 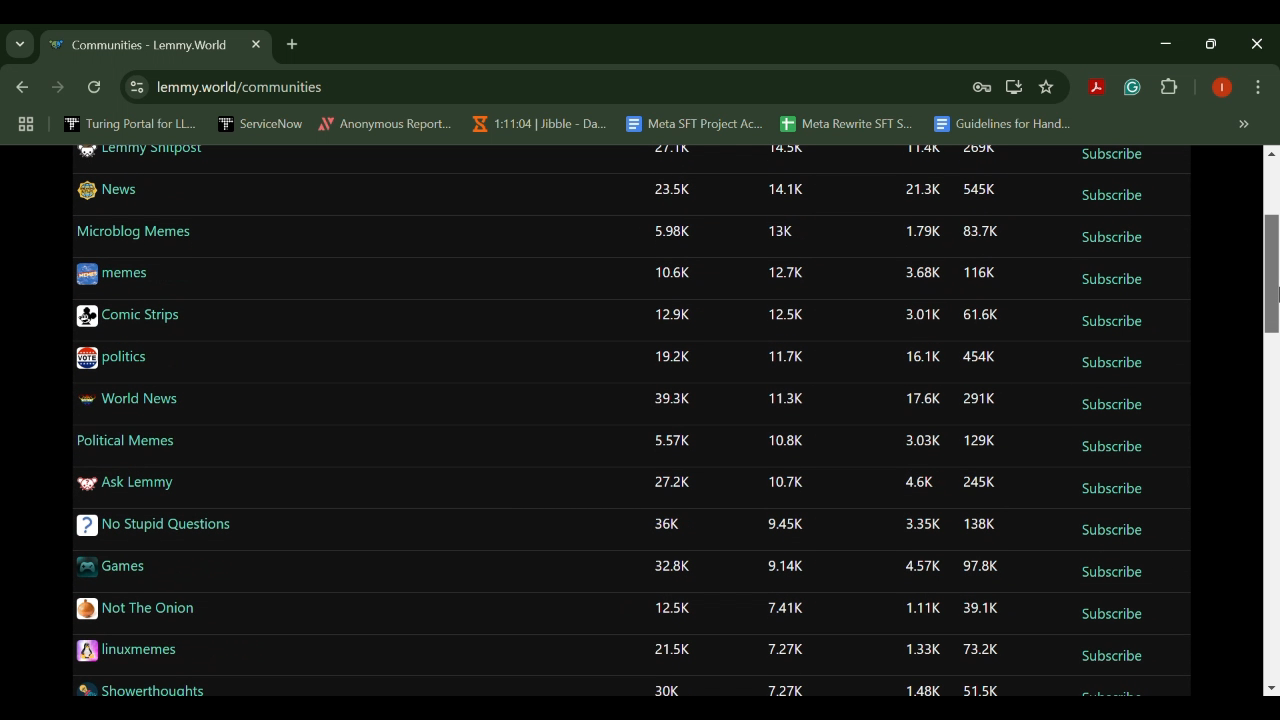 I want to click on 19.2K, so click(x=674, y=355).